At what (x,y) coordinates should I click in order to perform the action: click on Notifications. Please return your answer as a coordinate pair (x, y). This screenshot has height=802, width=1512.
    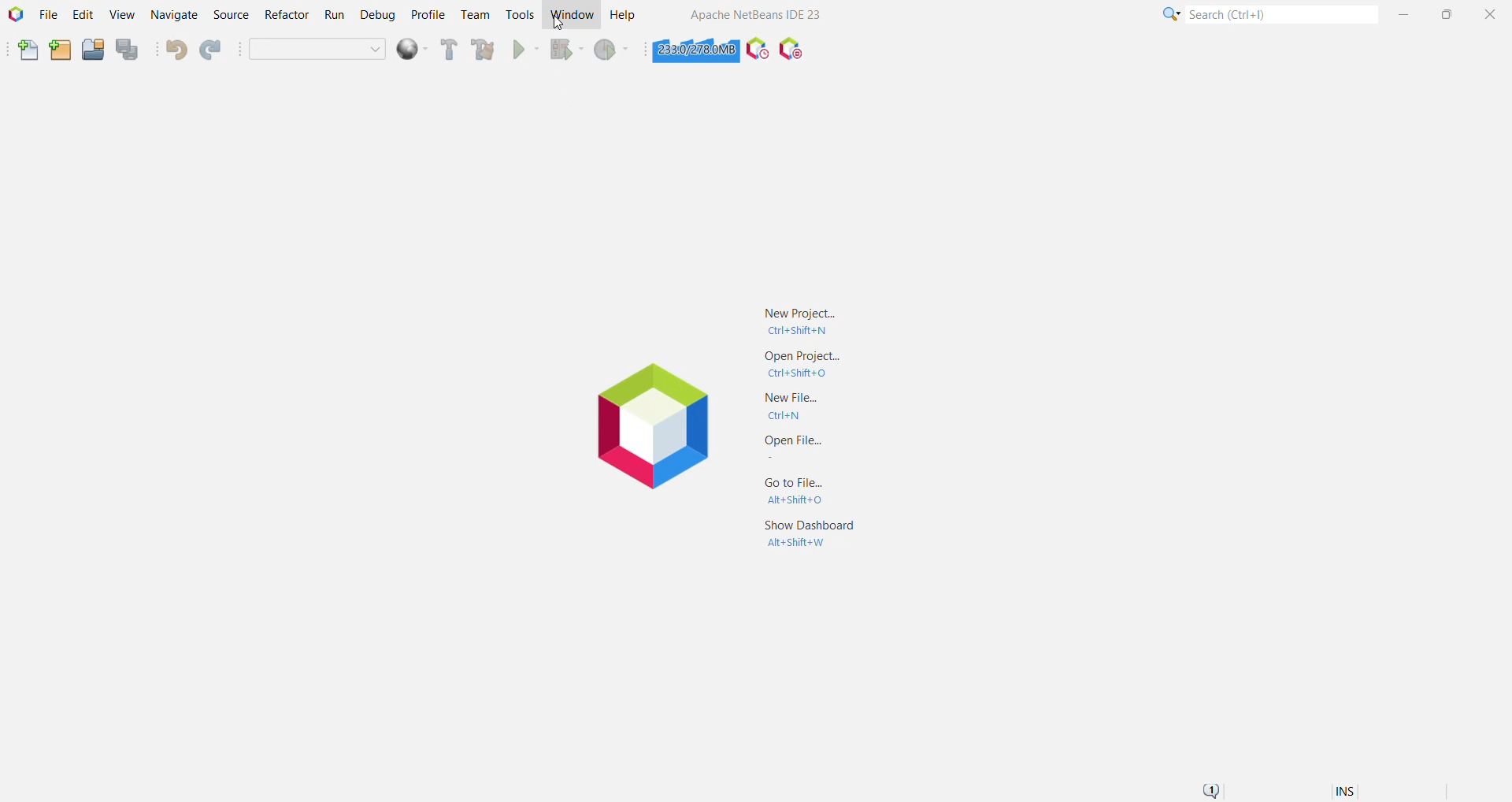
    Looking at the image, I should click on (1214, 788).